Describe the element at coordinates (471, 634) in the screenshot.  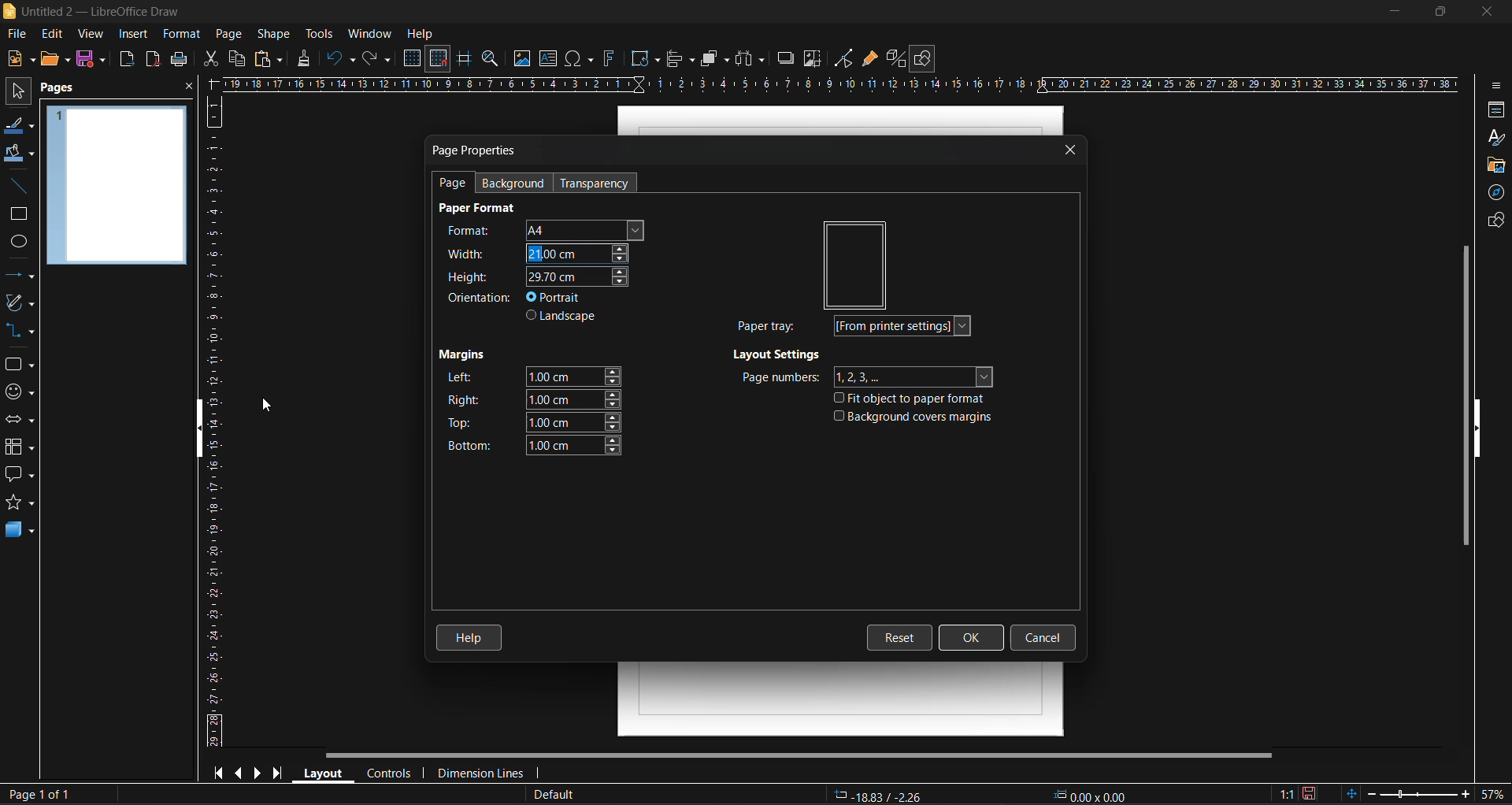
I see `help` at that location.